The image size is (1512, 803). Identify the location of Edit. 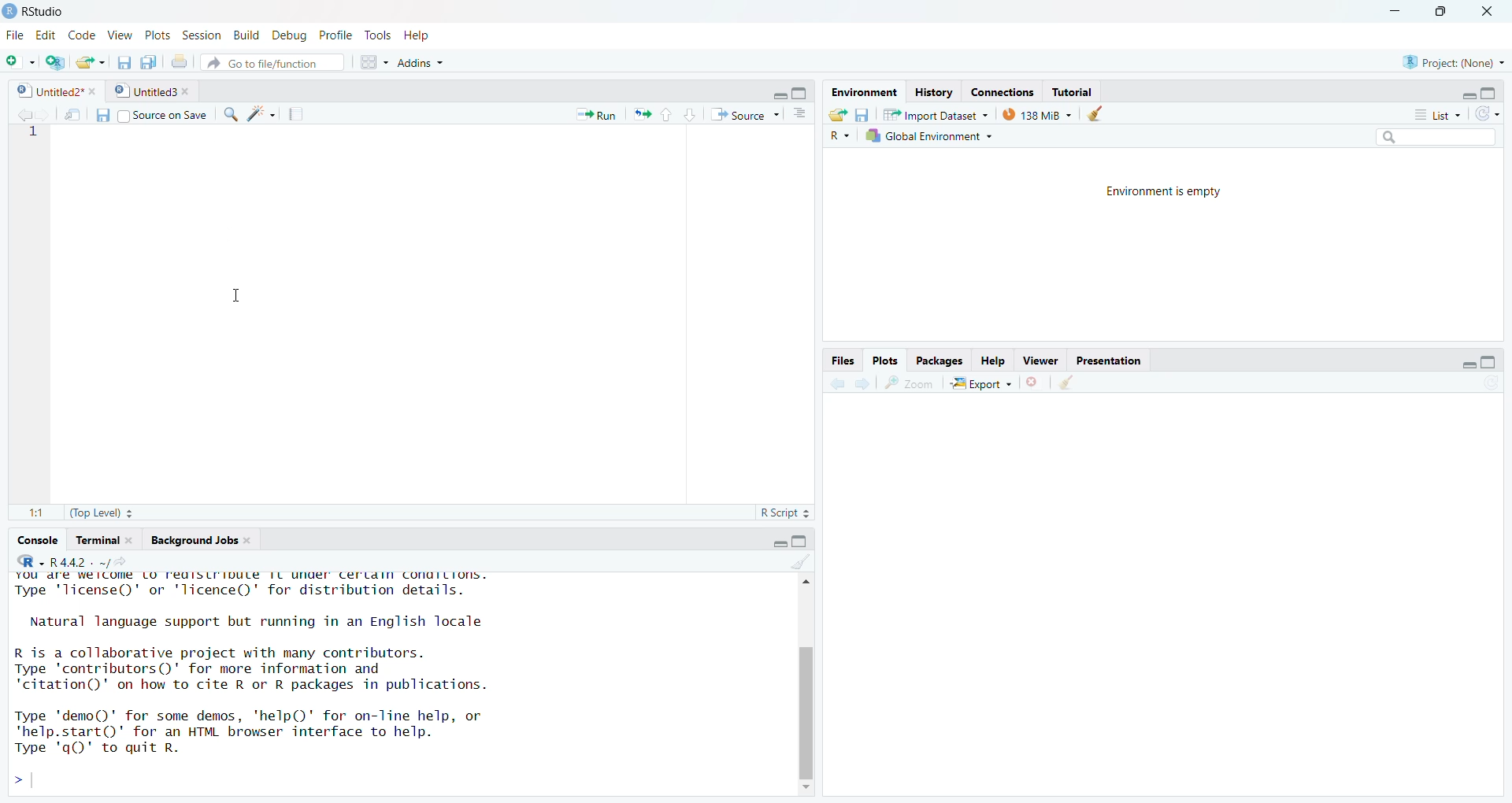
(42, 34).